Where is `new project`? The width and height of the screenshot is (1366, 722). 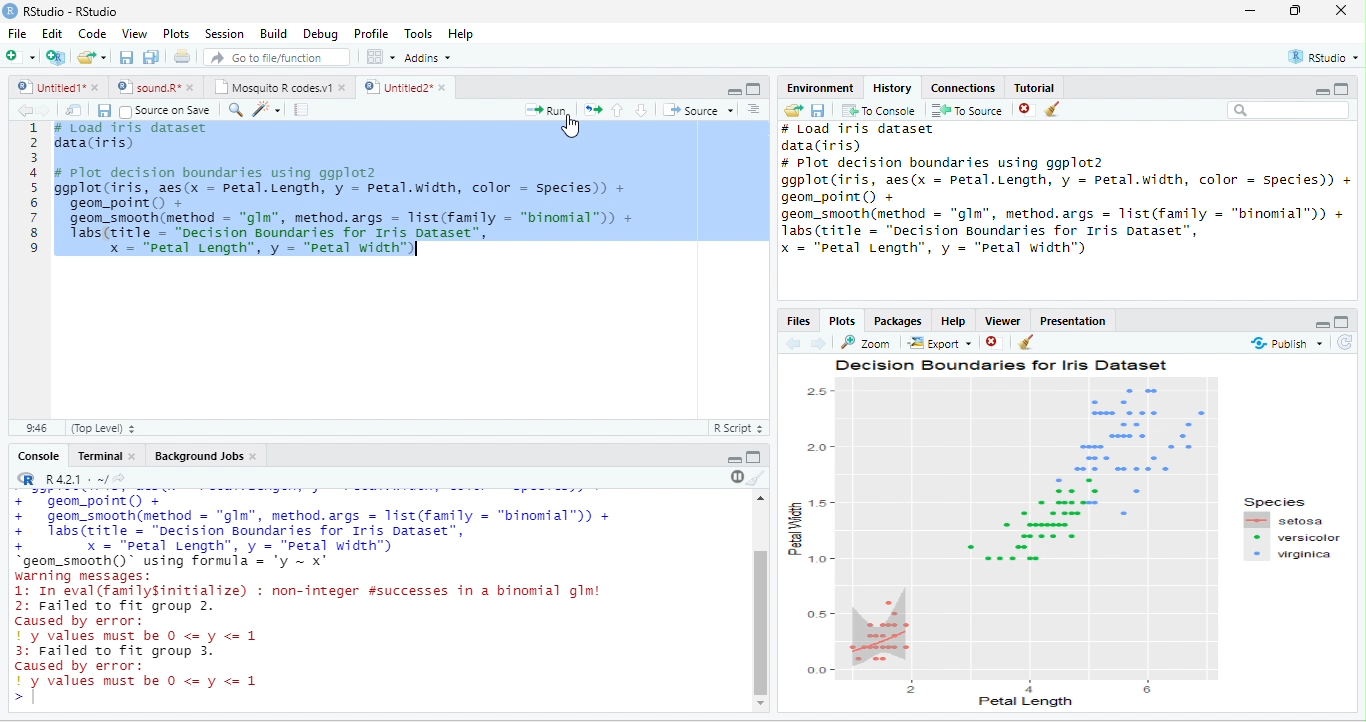 new project is located at coordinates (56, 58).